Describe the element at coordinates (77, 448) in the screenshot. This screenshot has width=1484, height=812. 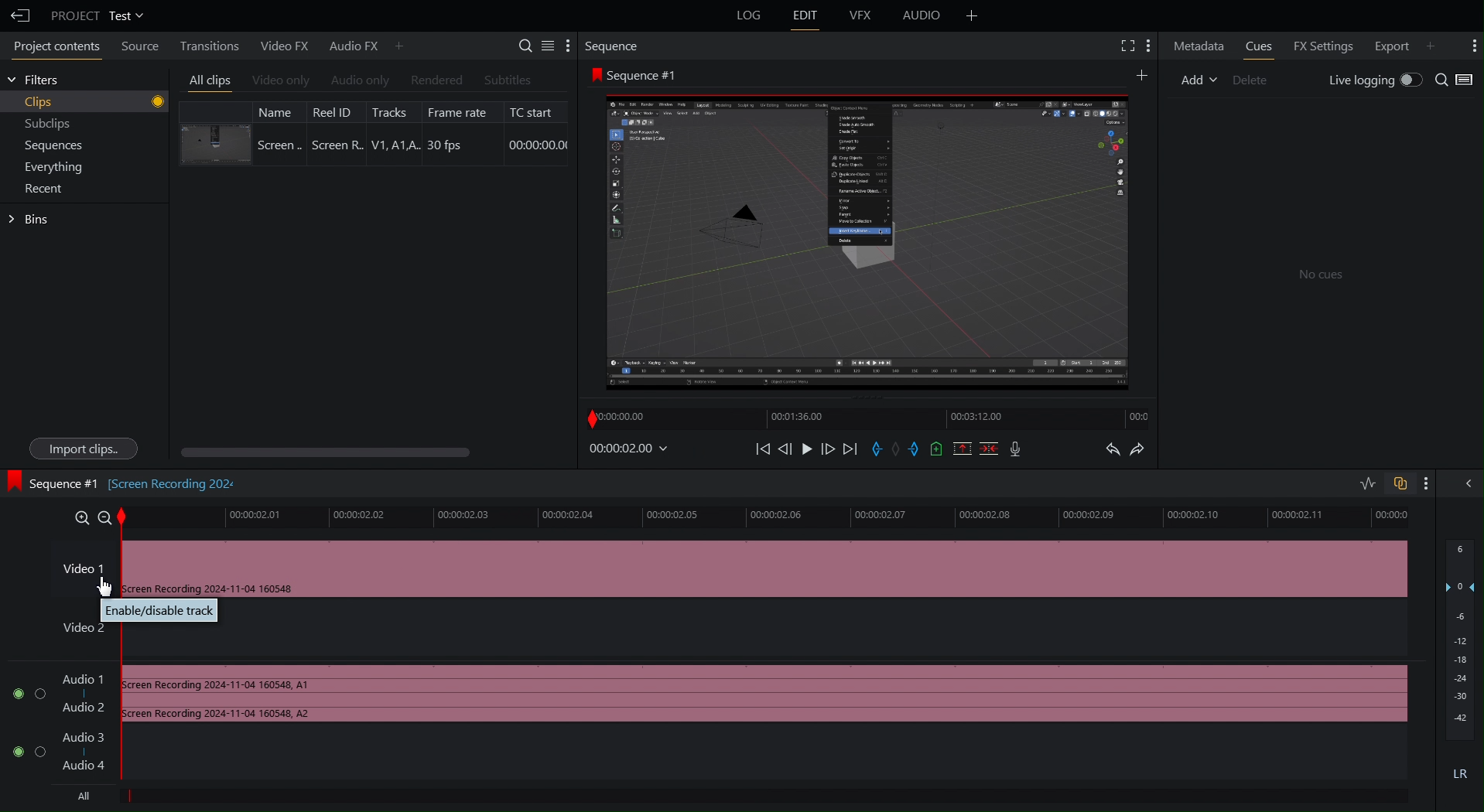
I see `Import clips` at that location.